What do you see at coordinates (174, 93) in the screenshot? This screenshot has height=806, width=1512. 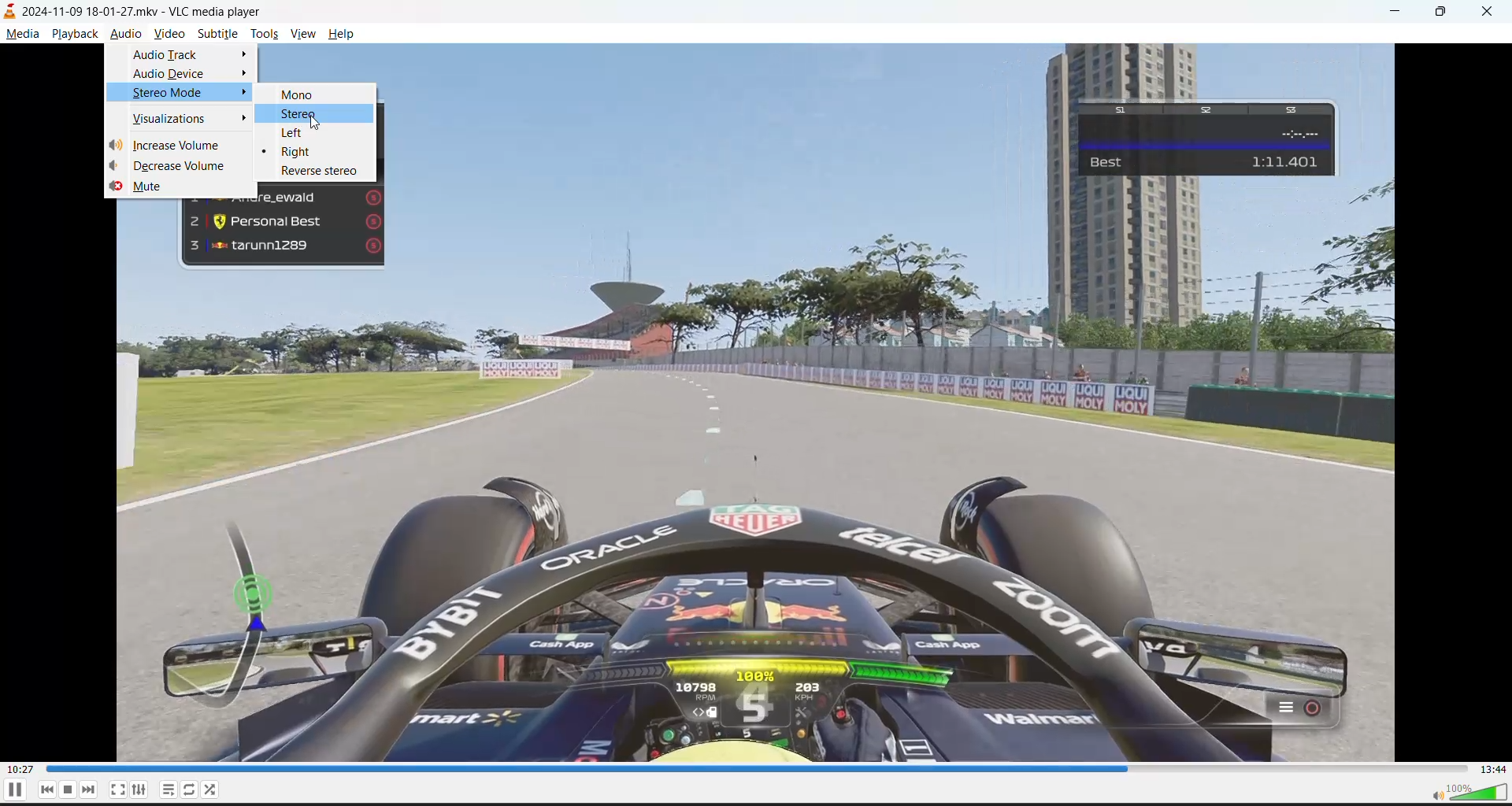 I see `stereo mode` at bounding box center [174, 93].